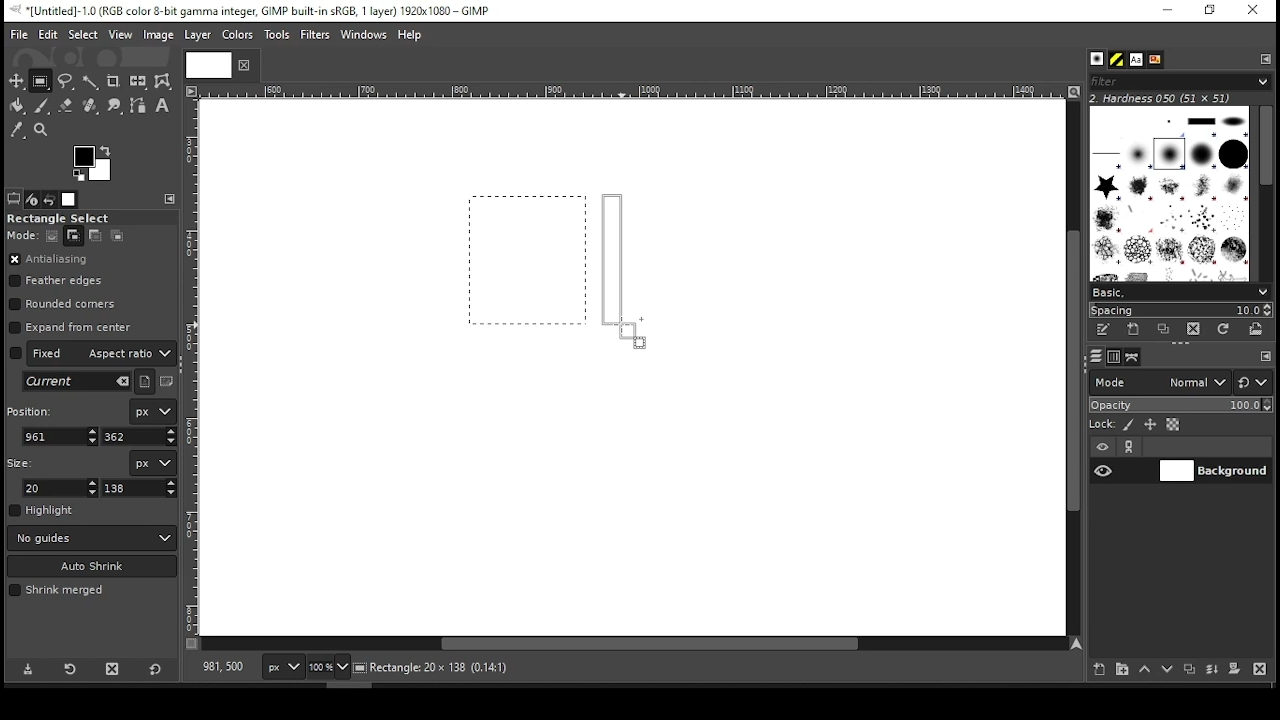 The height and width of the screenshot is (720, 1280). What do you see at coordinates (121, 36) in the screenshot?
I see `view` at bounding box center [121, 36].